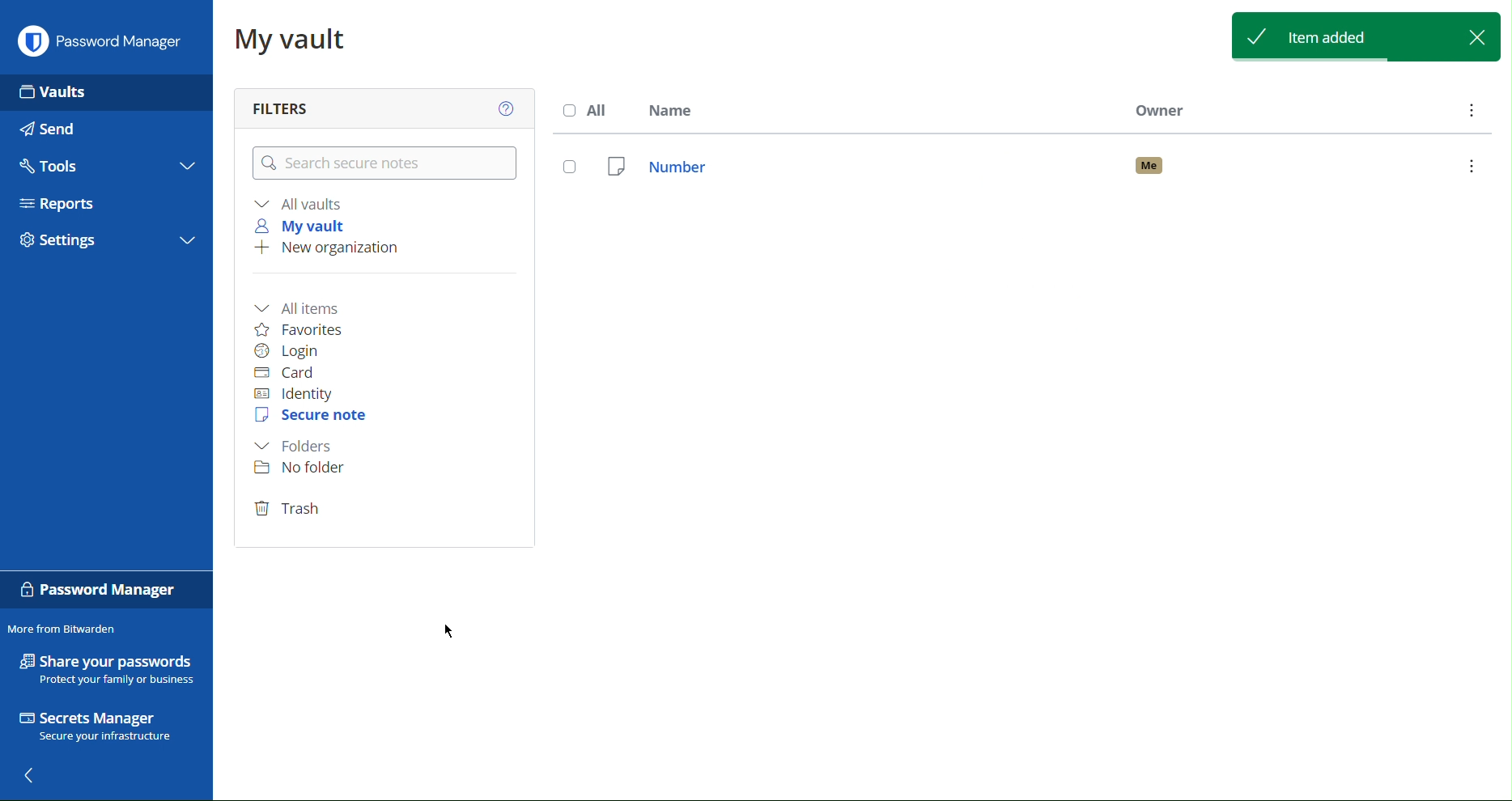 This screenshot has height=801, width=1512. Describe the element at coordinates (579, 114) in the screenshot. I see `All` at that location.